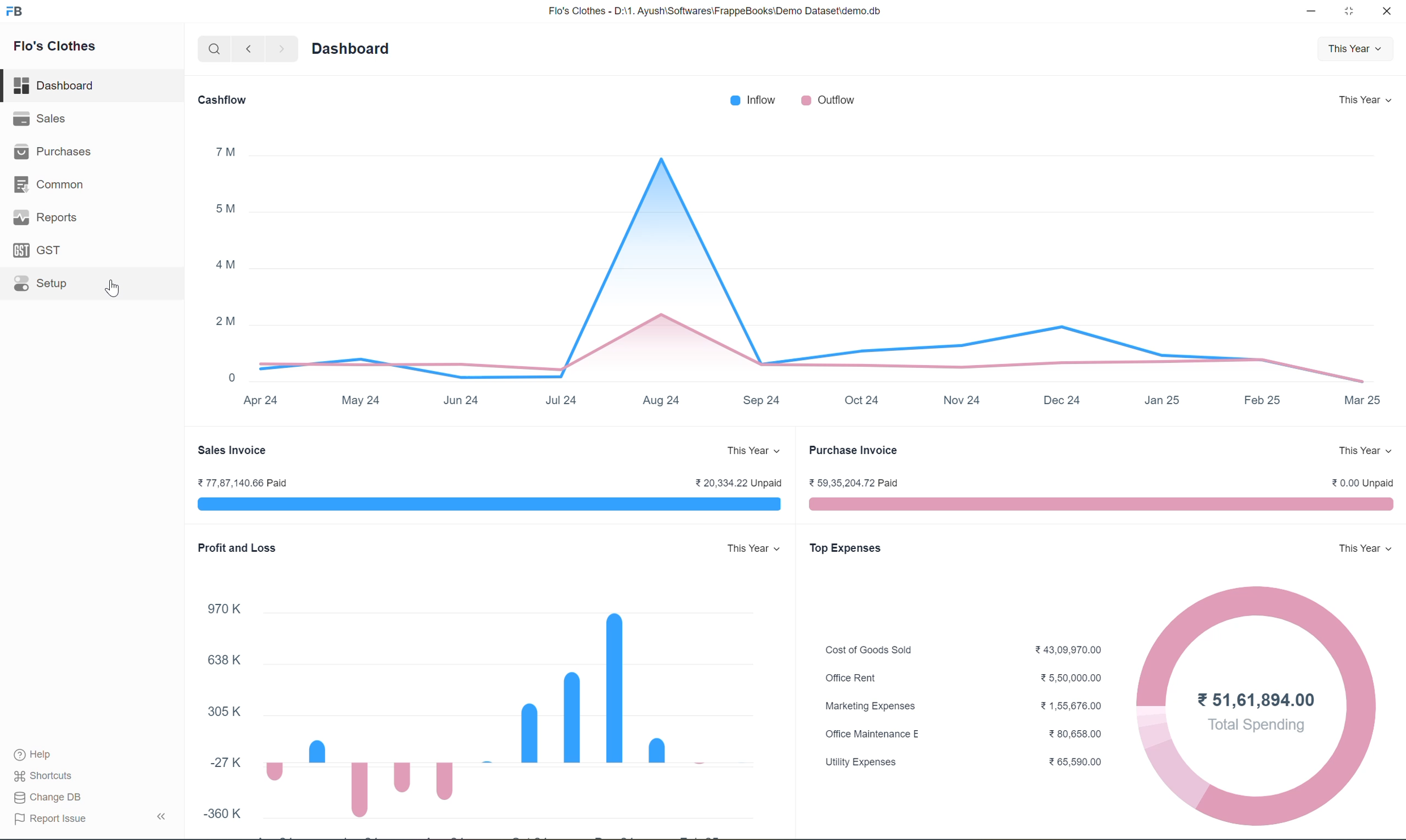 This screenshot has width=1406, height=840. I want to click on ¥ 59,35,204.72 Paid, so click(853, 483).